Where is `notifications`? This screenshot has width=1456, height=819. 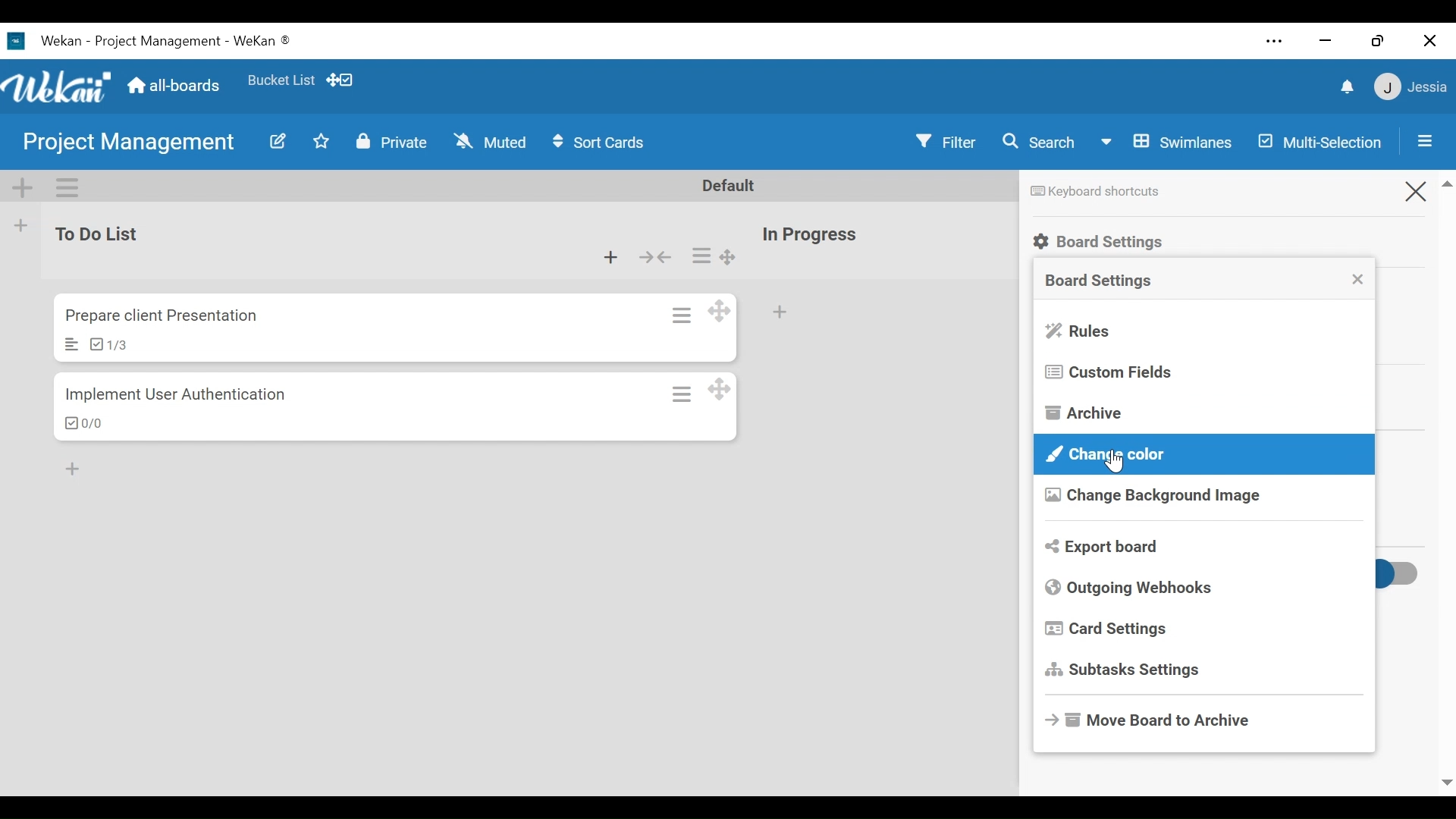
notifications is located at coordinates (1348, 86).